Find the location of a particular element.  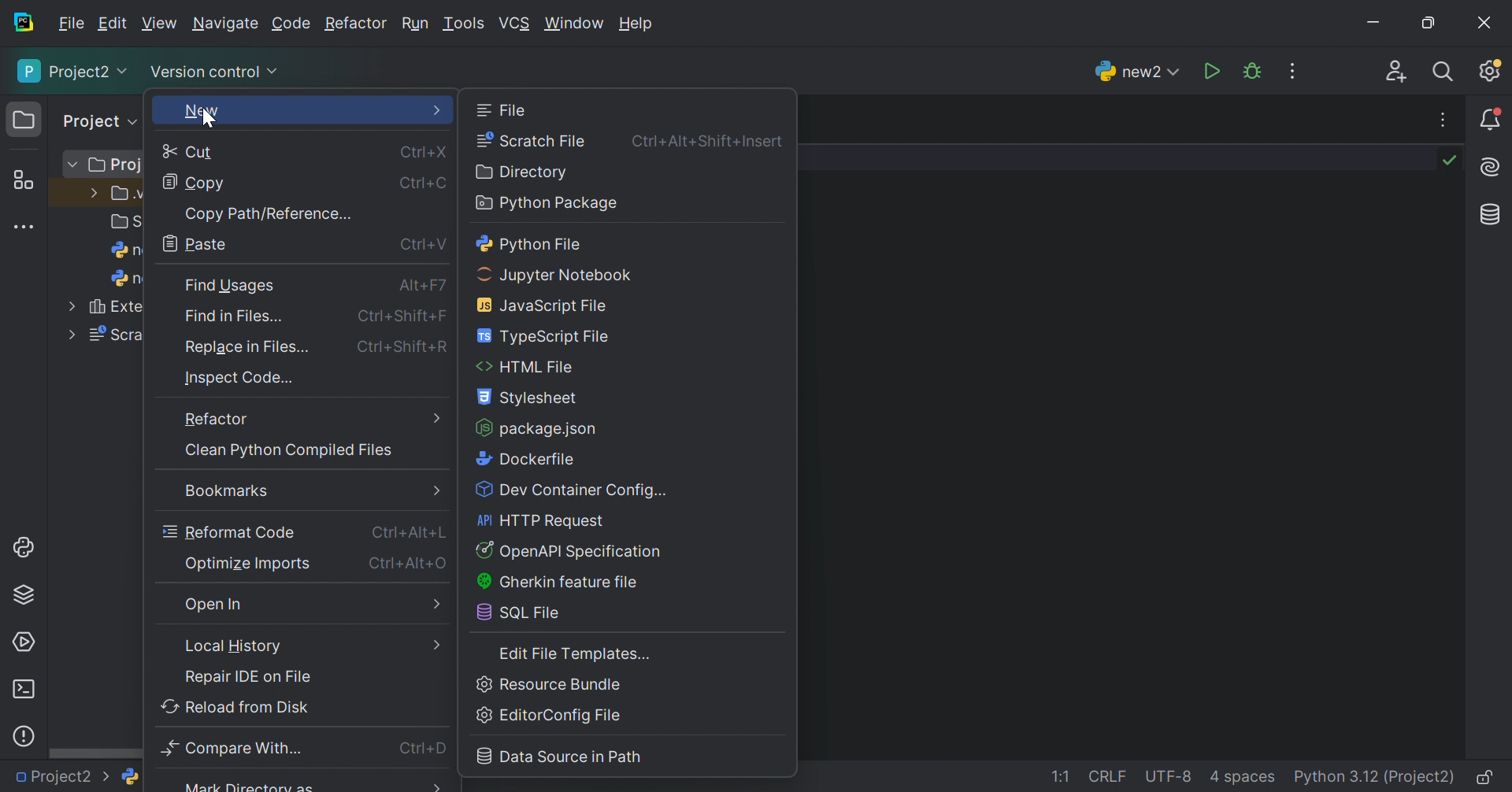

Notifications is located at coordinates (1493, 119).